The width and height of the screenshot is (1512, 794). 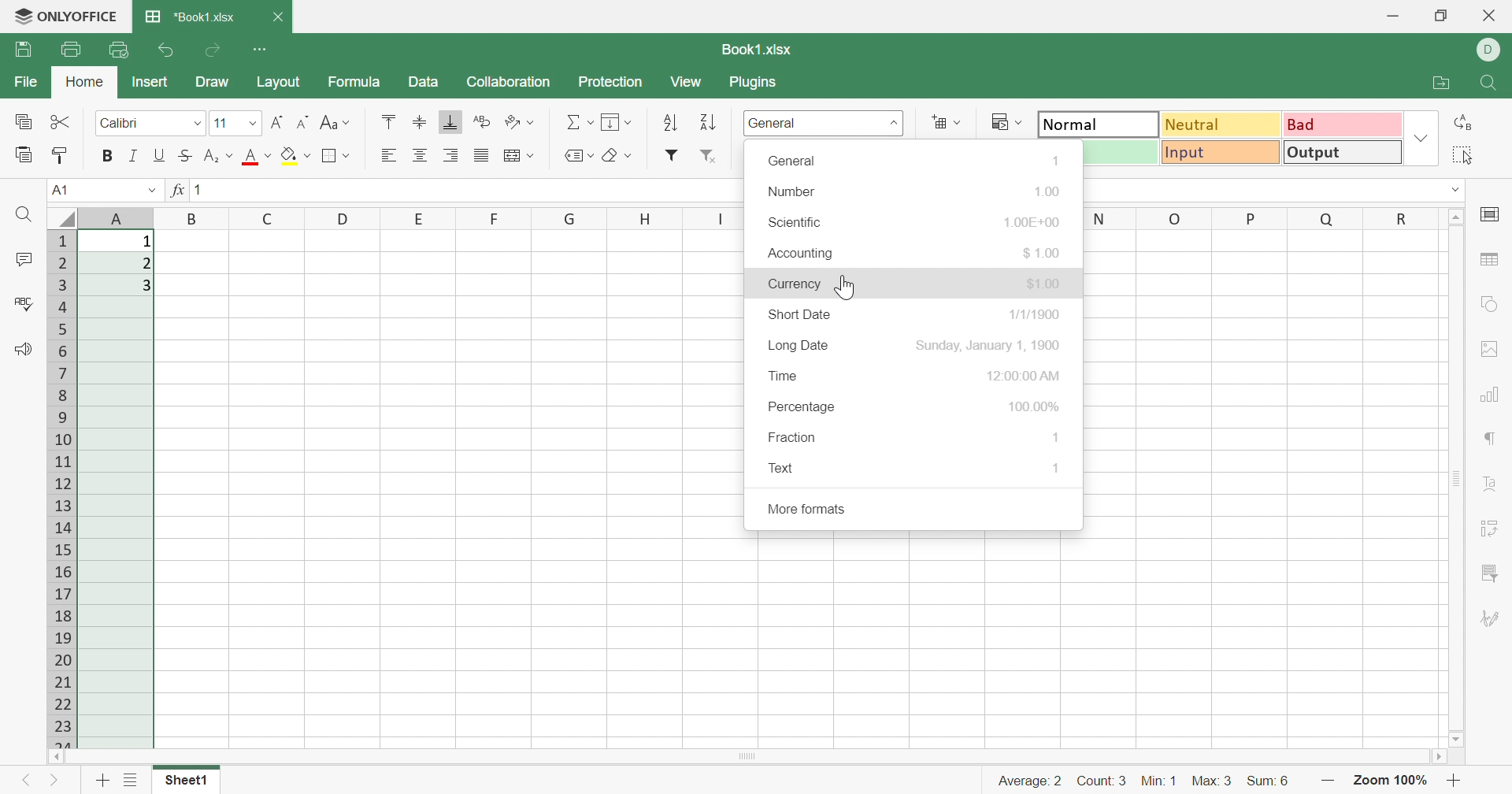 I want to click on Find, so click(x=1491, y=84).